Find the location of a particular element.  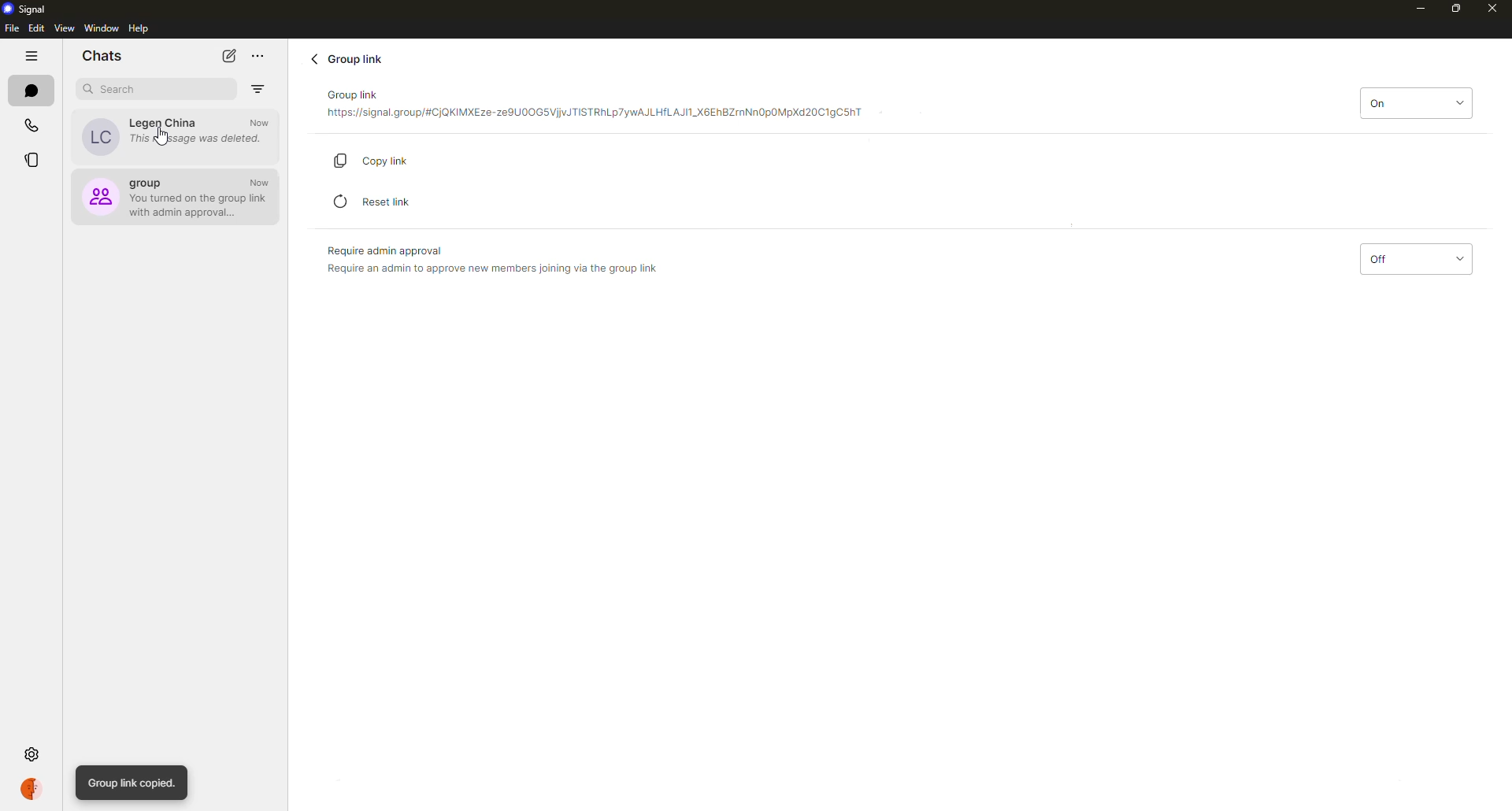

help is located at coordinates (141, 29).